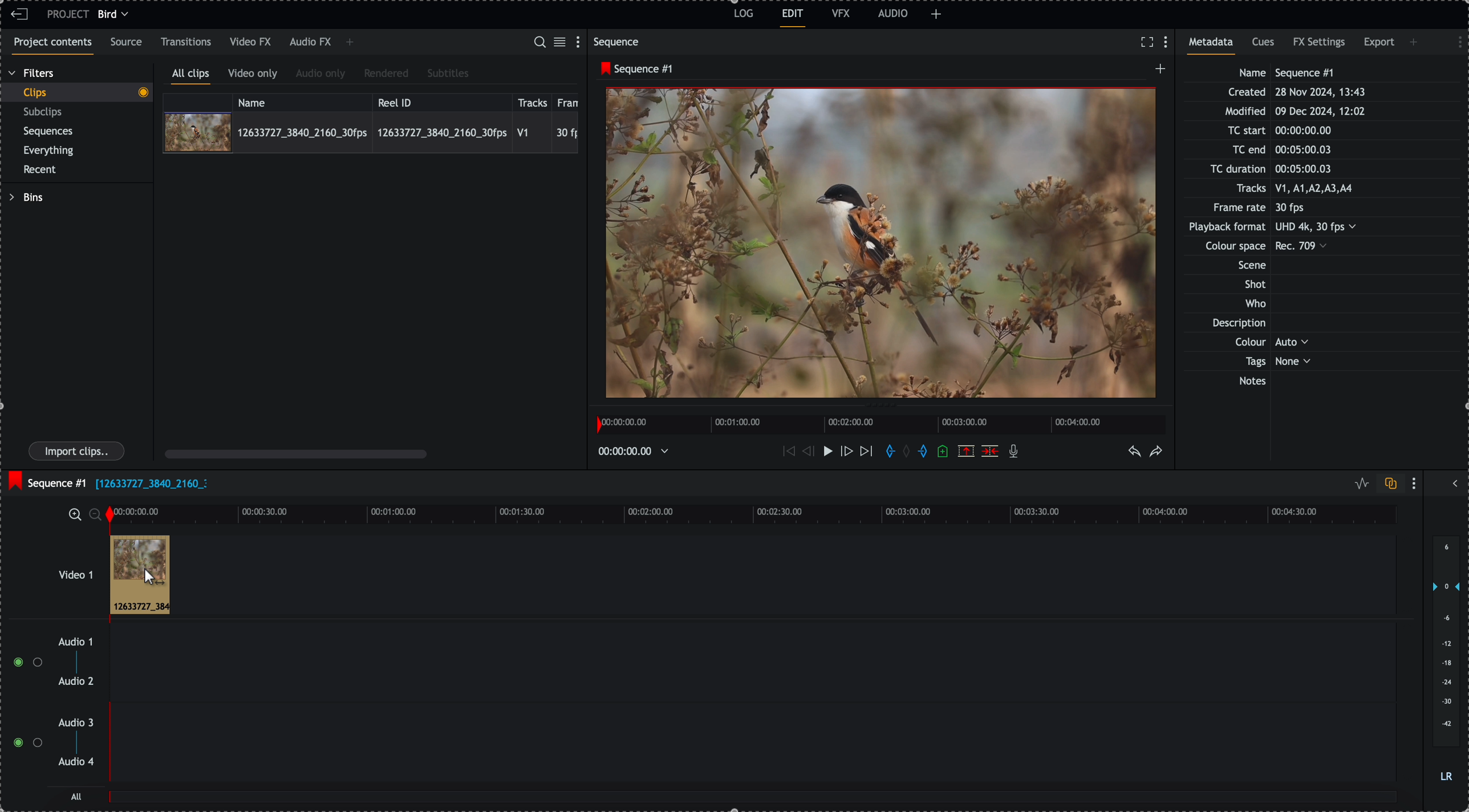  I want to click on frame, so click(570, 101).